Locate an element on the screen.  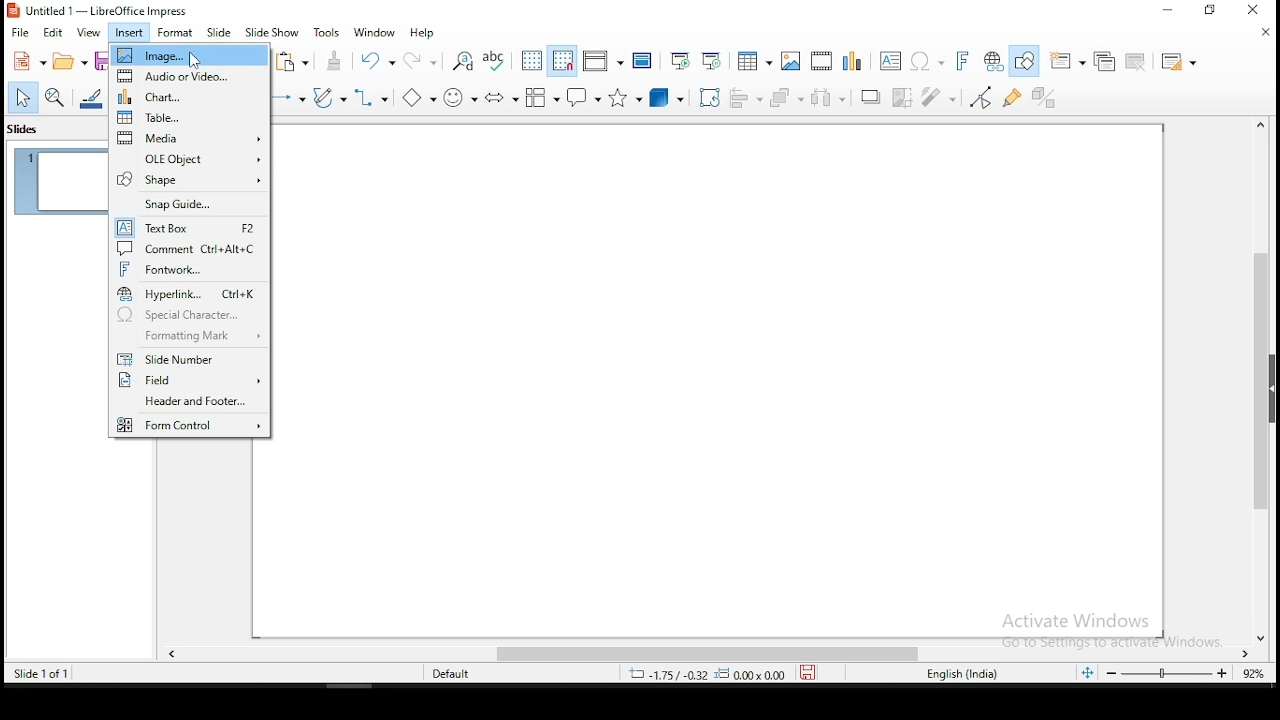
text box is located at coordinates (189, 226).